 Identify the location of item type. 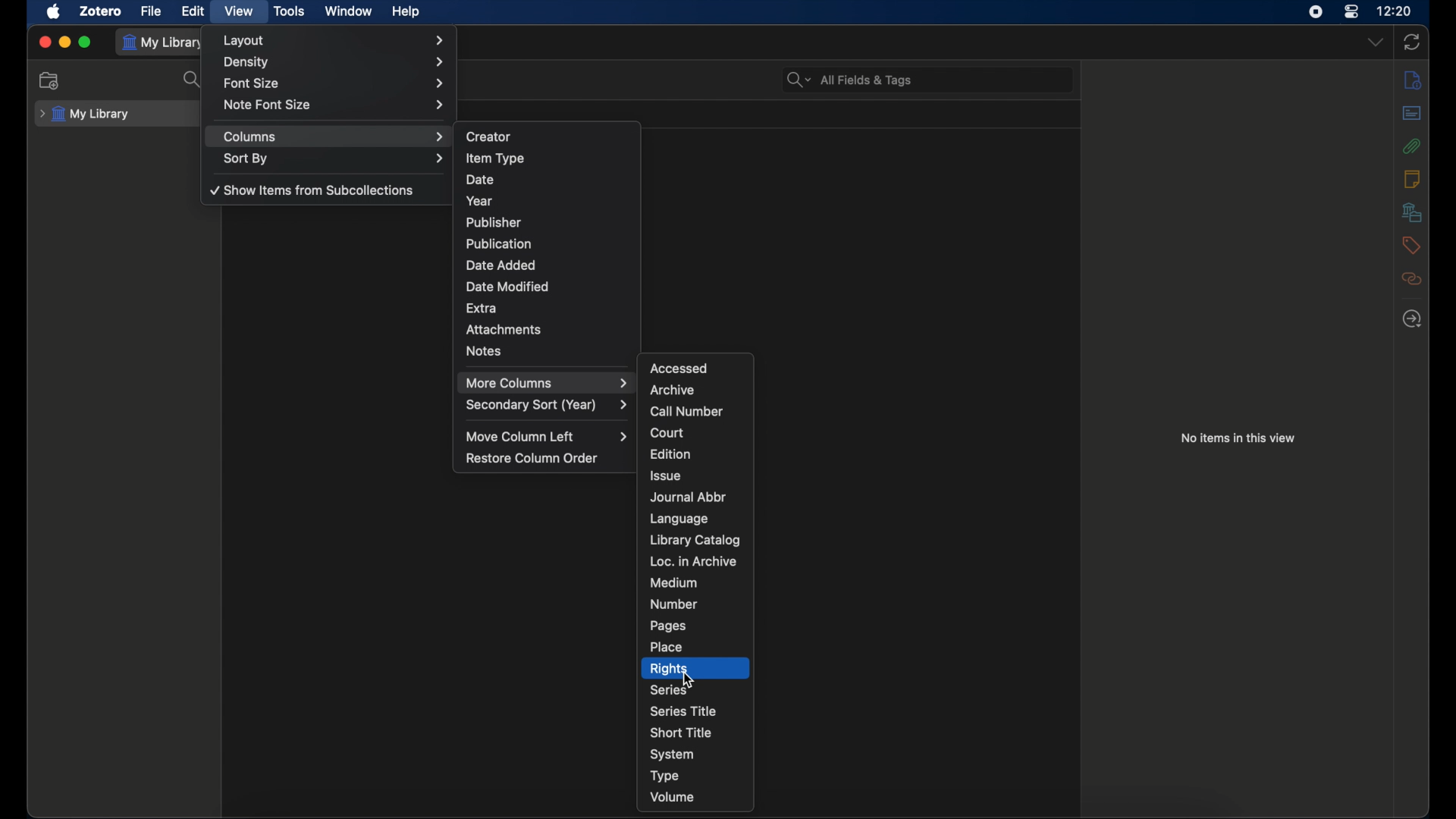
(494, 158).